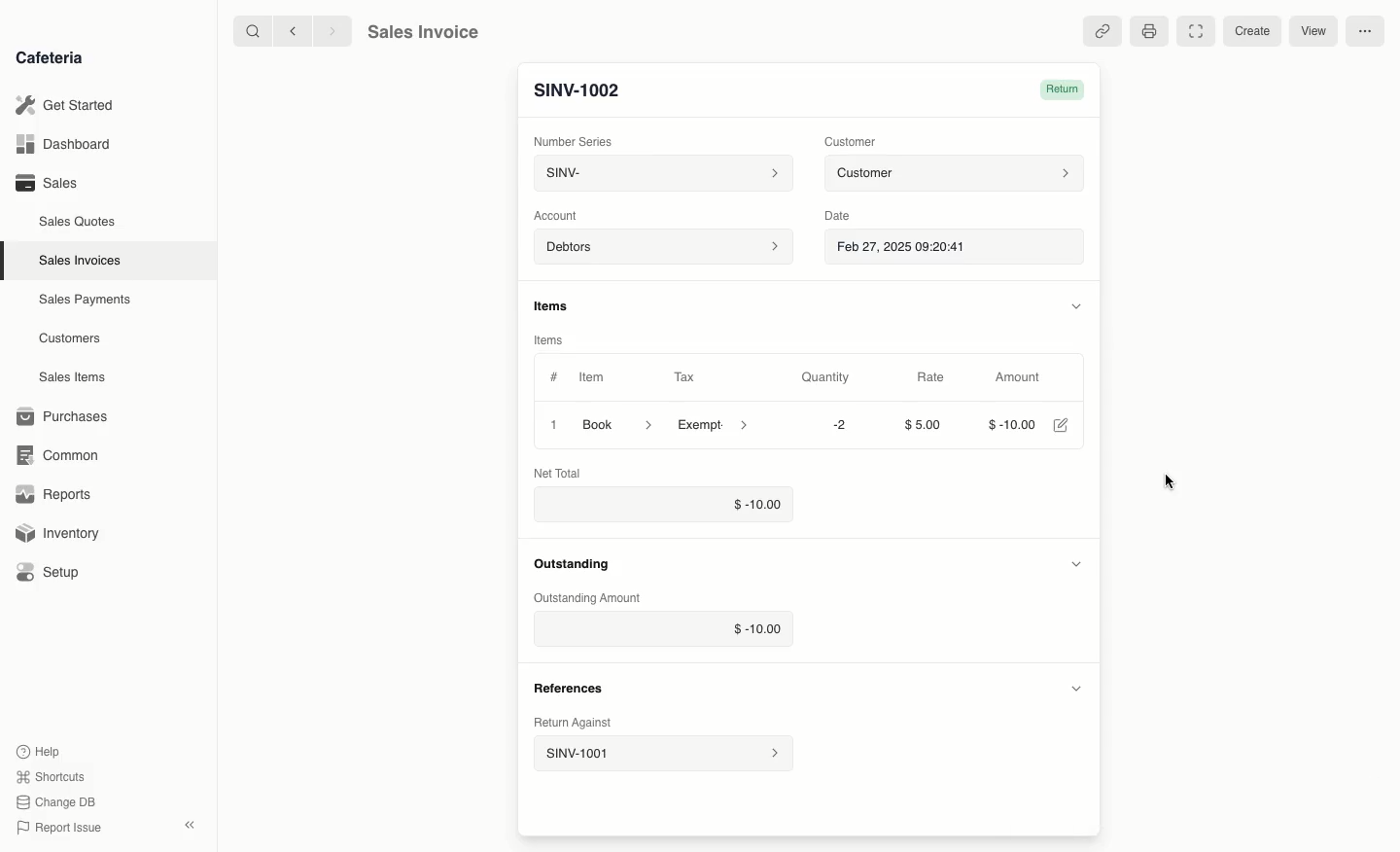 This screenshot has width=1400, height=852. What do you see at coordinates (65, 104) in the screenshot?
I see `Get Started` at bounding box center [65, 104].